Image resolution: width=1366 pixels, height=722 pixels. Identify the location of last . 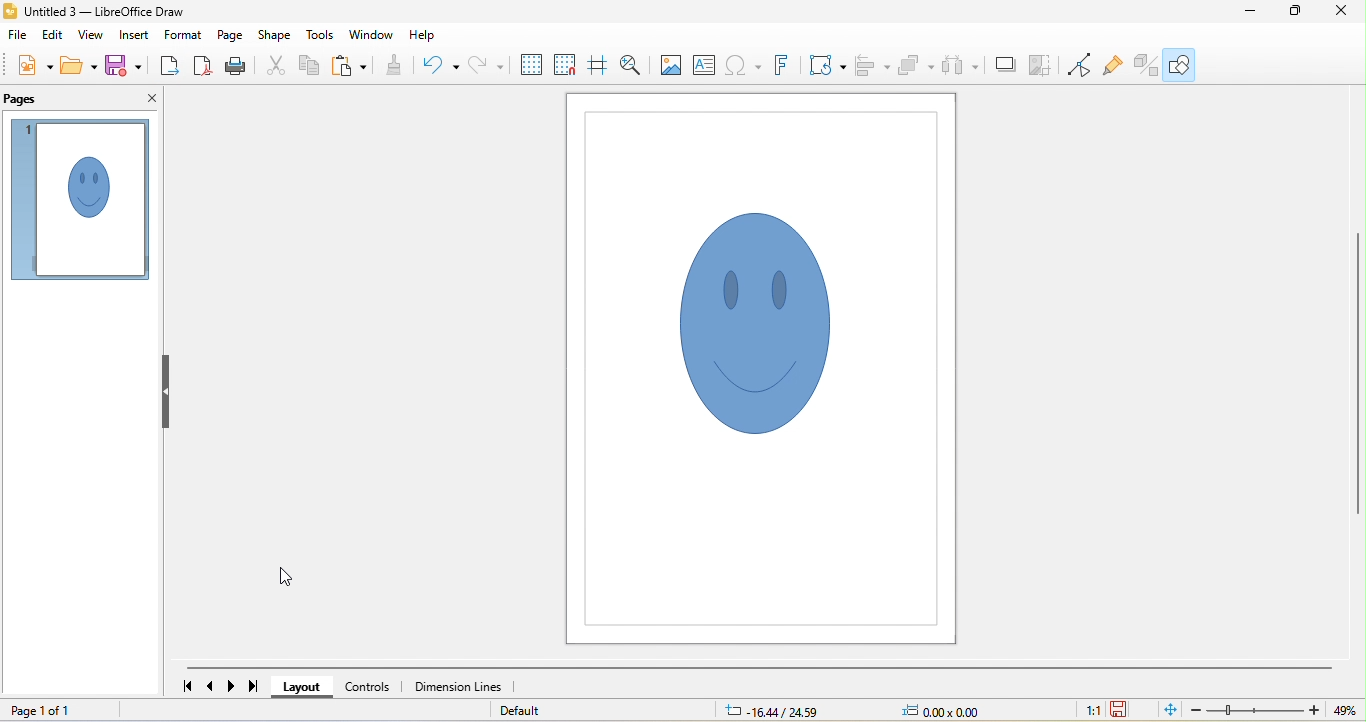
(254, 685).